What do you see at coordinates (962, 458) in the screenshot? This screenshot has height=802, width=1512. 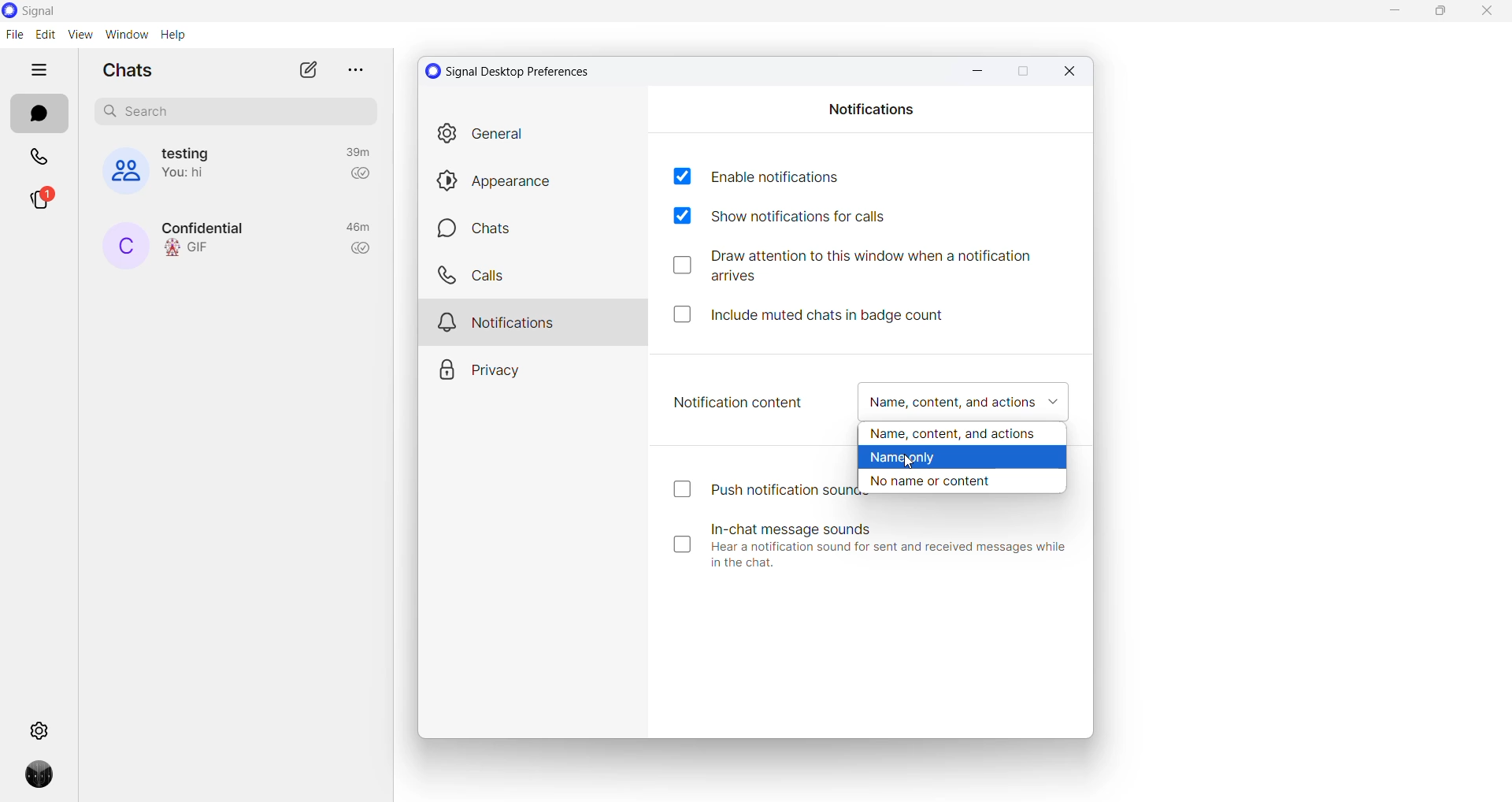 I see `name only ` at bounding box center [962, 458].